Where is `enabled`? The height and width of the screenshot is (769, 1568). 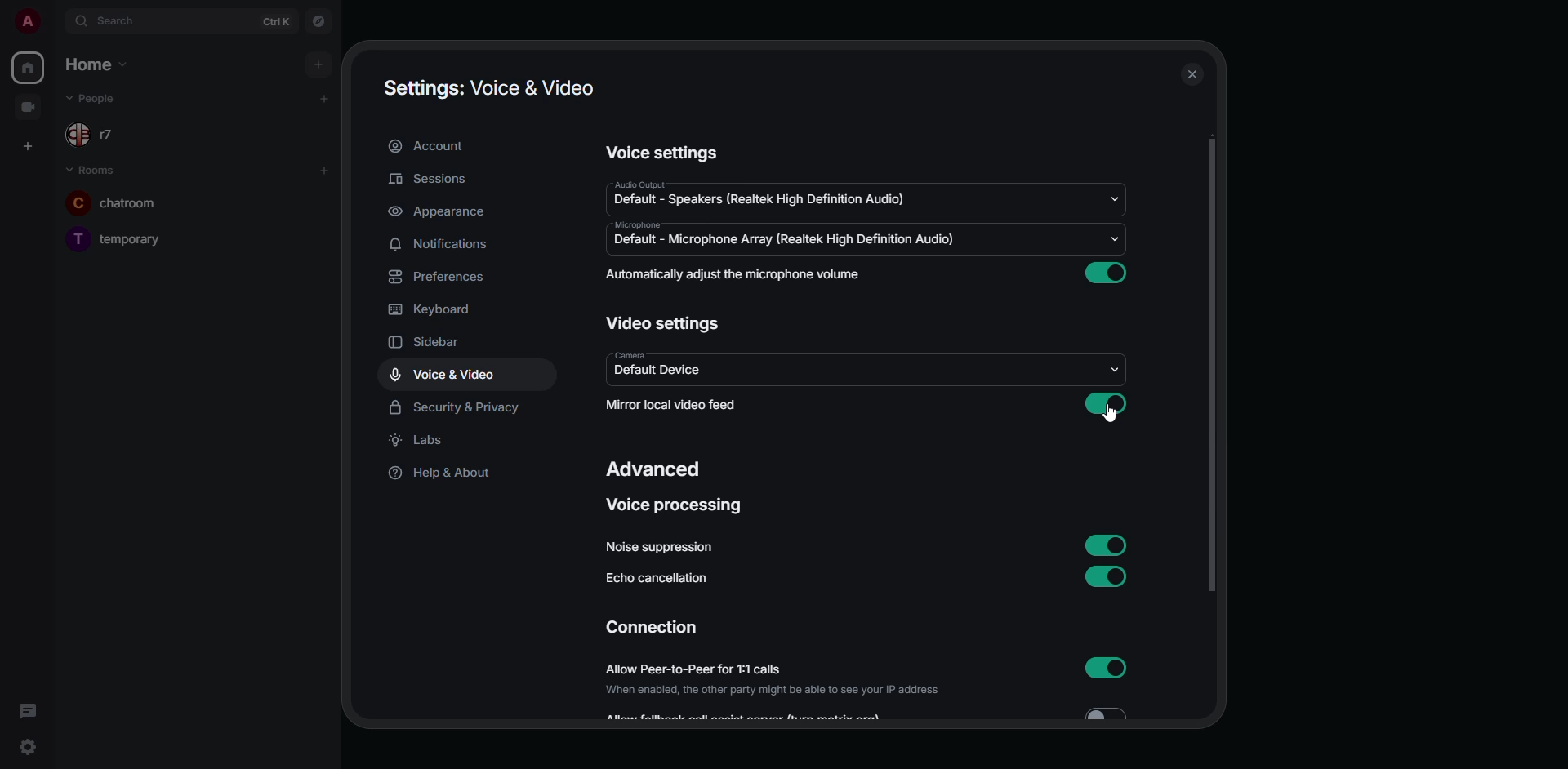 enabled is located at coordinates (1106, 405).